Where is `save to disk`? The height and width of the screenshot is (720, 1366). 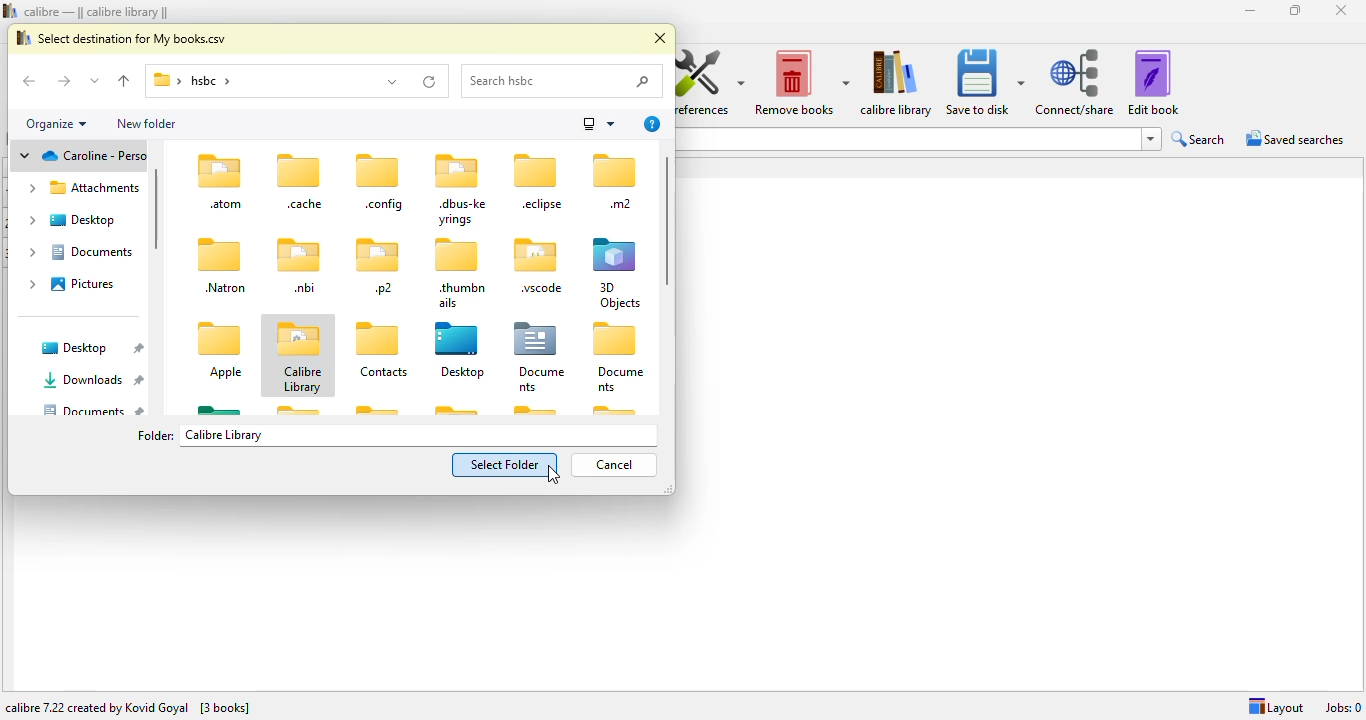 save to disk is located at coordinates (984, 82).